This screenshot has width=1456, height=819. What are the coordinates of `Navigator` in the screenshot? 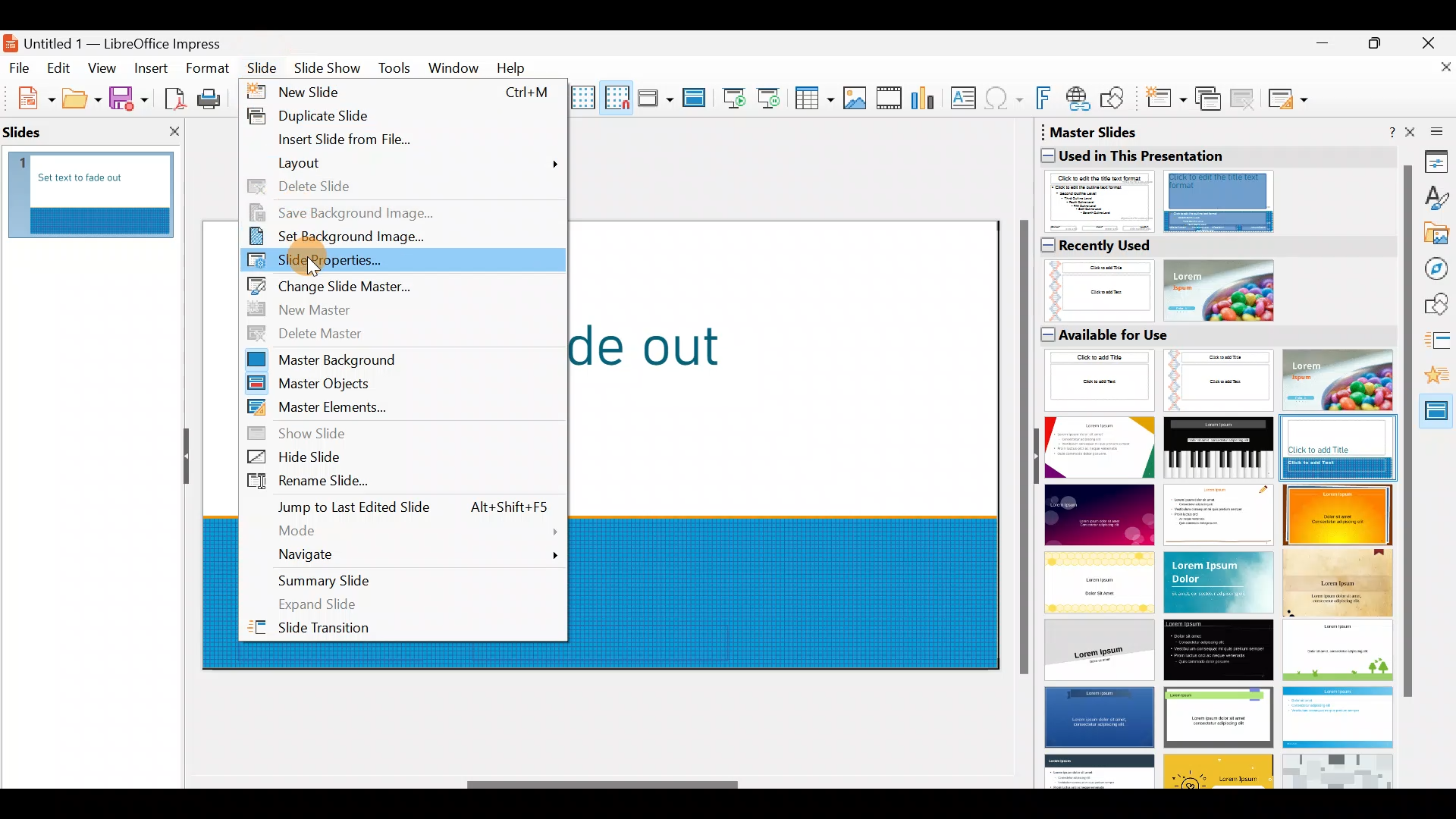 It's located at (1438, 269).